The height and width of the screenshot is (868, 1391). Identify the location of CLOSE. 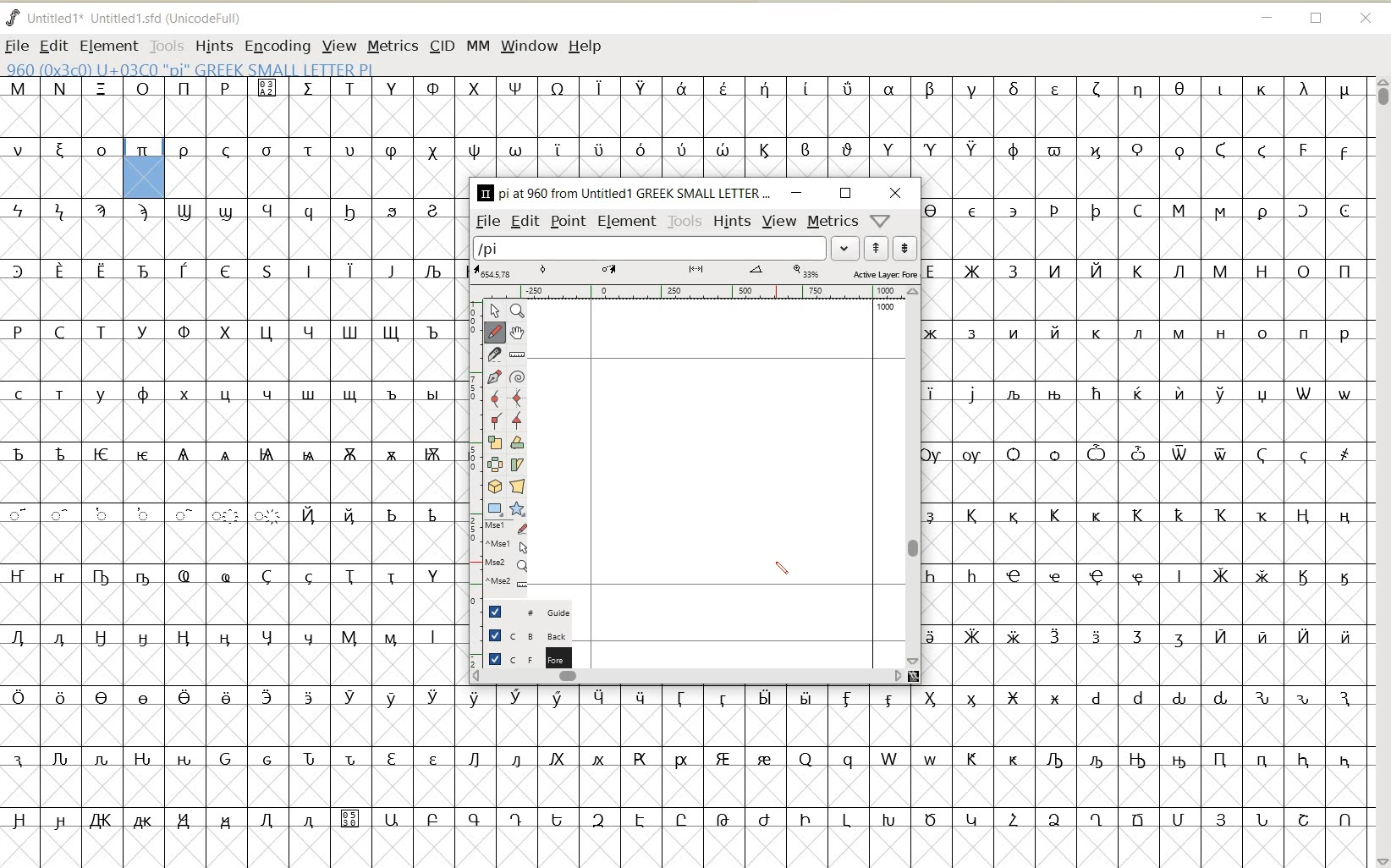
(898, 194).